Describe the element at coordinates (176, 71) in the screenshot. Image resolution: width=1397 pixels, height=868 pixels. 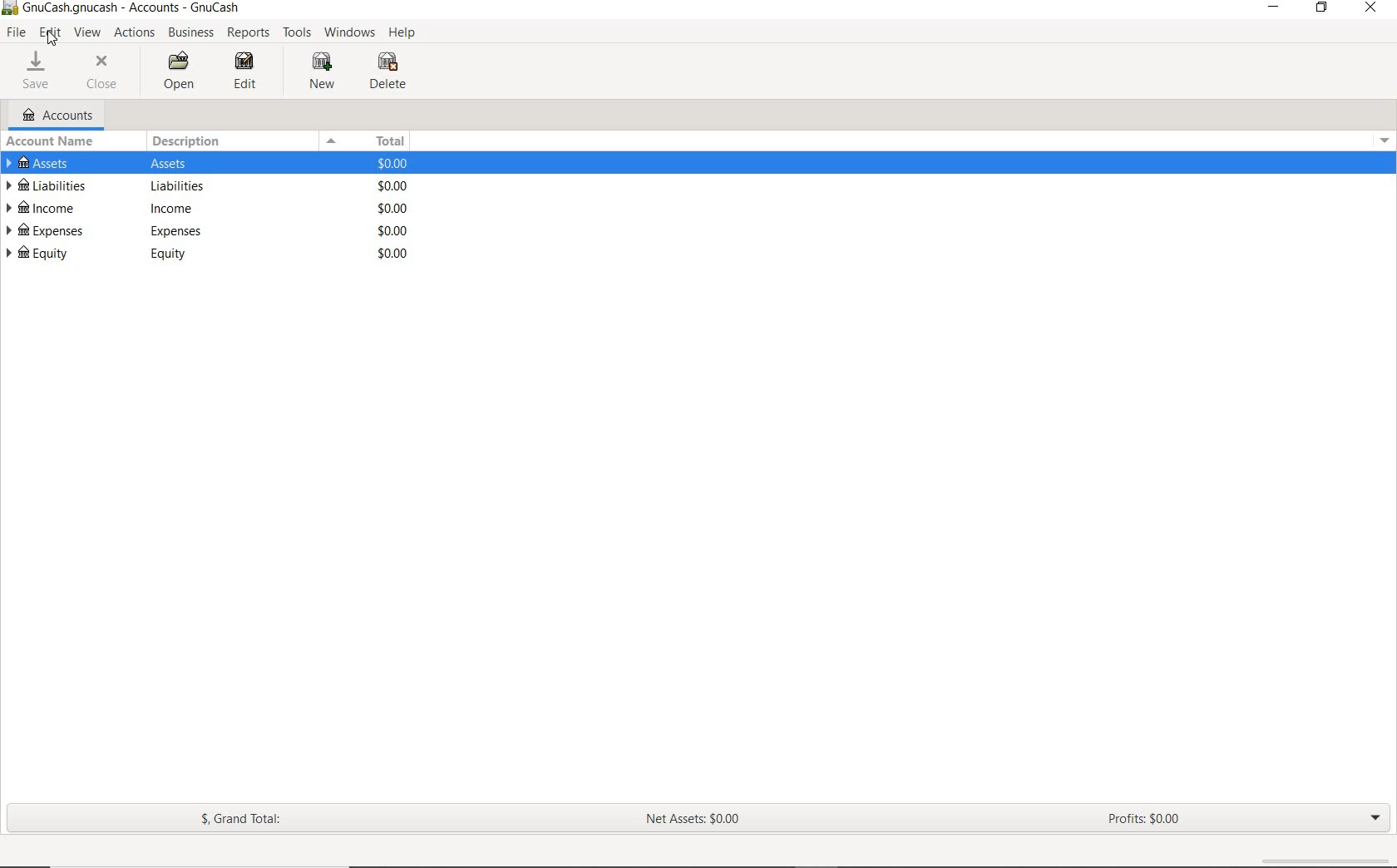
I see `OPEN` at that location.